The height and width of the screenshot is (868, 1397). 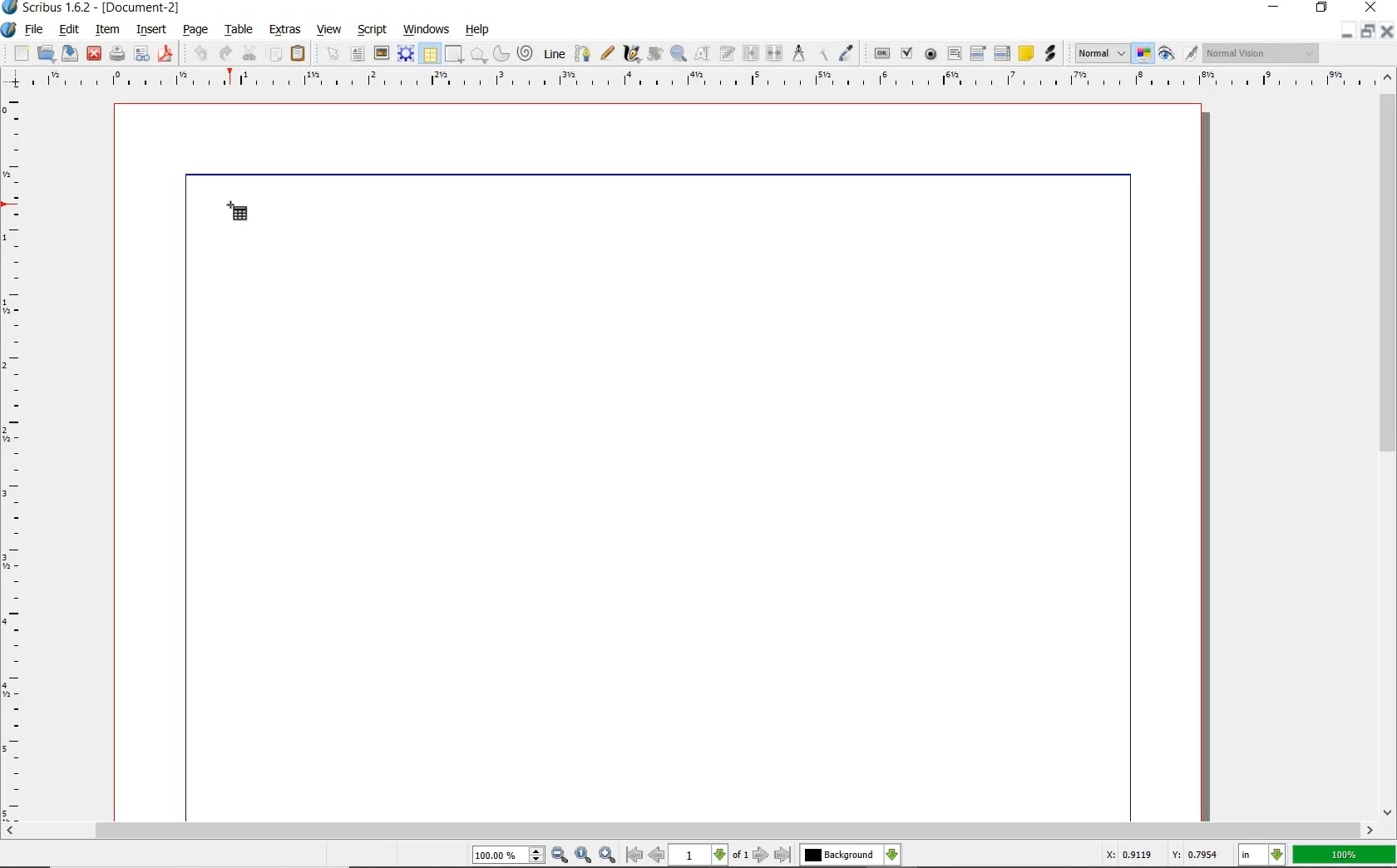 What do you see at coordinates (823, 56) in the screenshot?
I see `copy item properties` at bounding box center [823, 56].